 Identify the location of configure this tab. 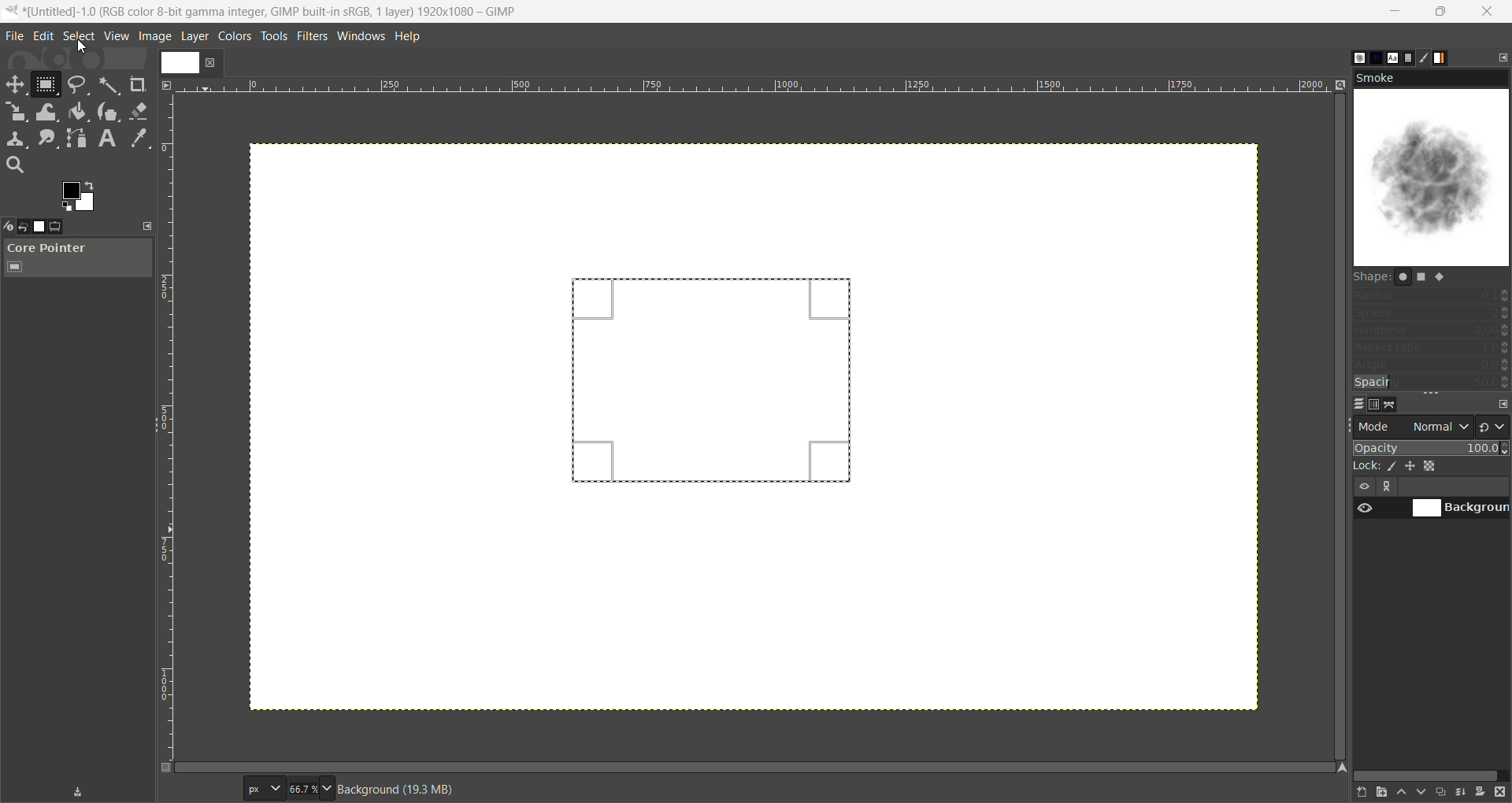
(147, 226).